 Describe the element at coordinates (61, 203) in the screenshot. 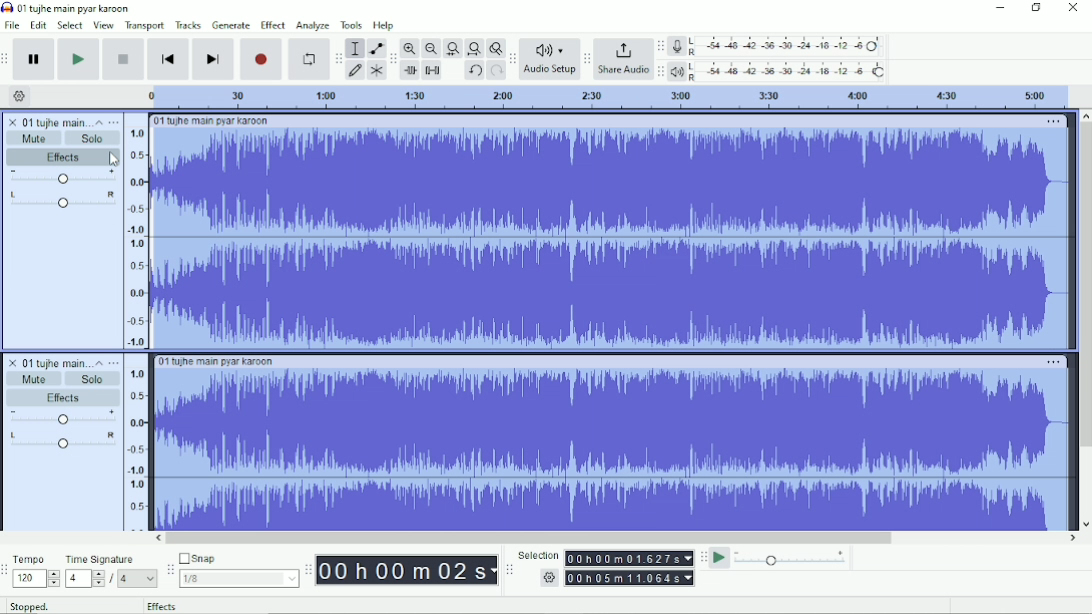

I see `pan` at that location.